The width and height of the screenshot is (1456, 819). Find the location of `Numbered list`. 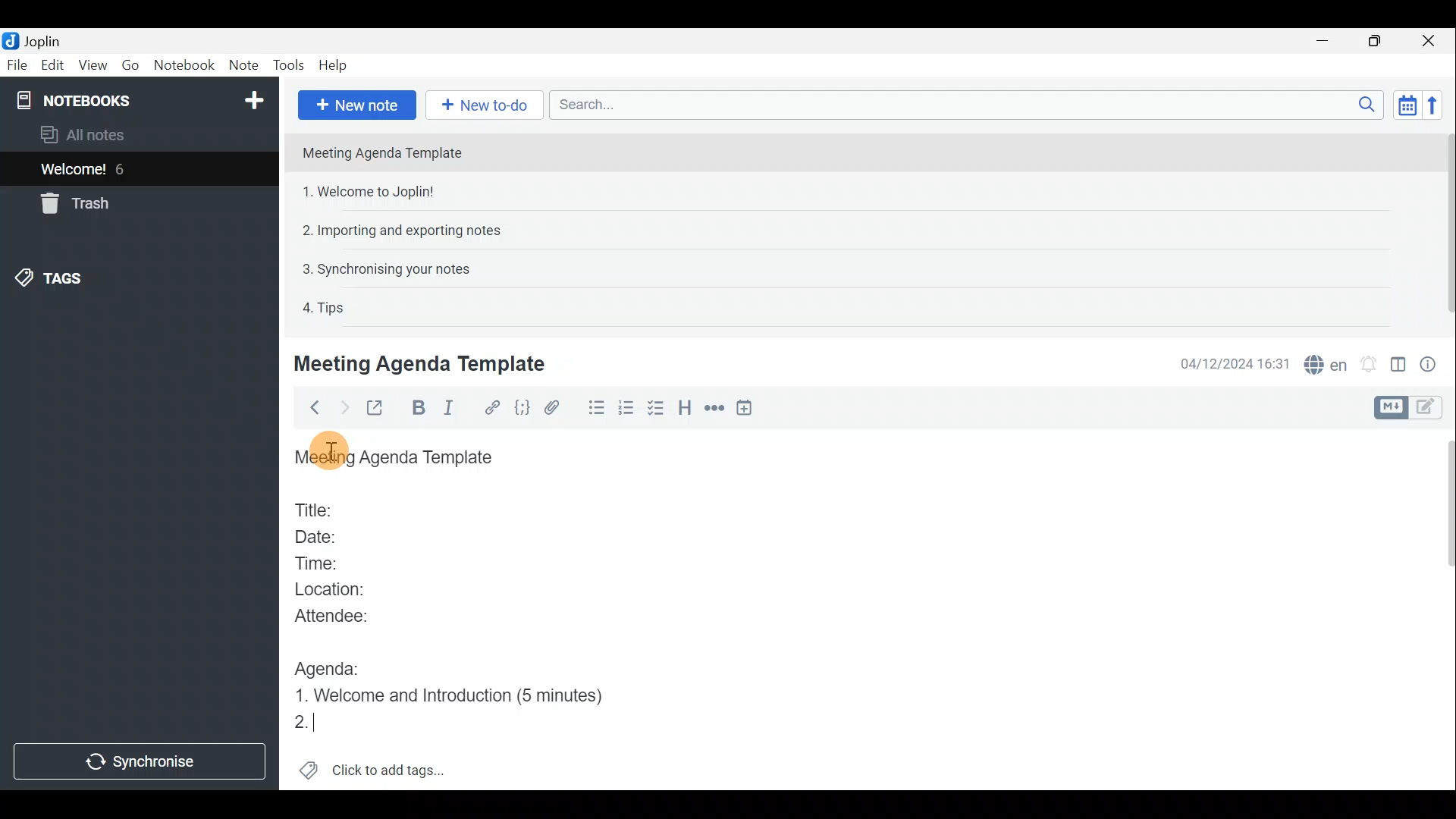

Numbered list is located at coordinates (626, 410).